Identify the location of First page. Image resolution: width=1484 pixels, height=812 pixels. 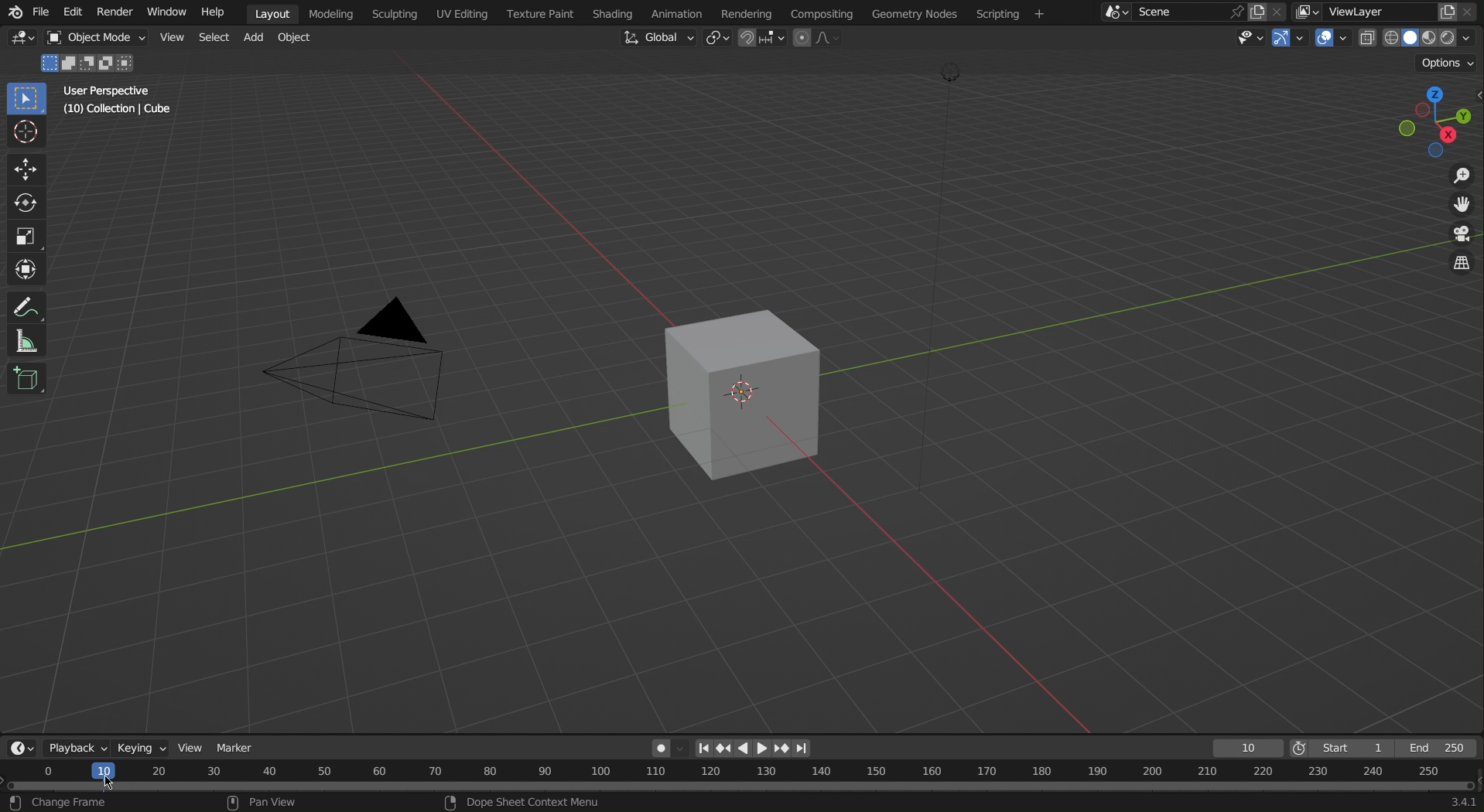
(700, 748).